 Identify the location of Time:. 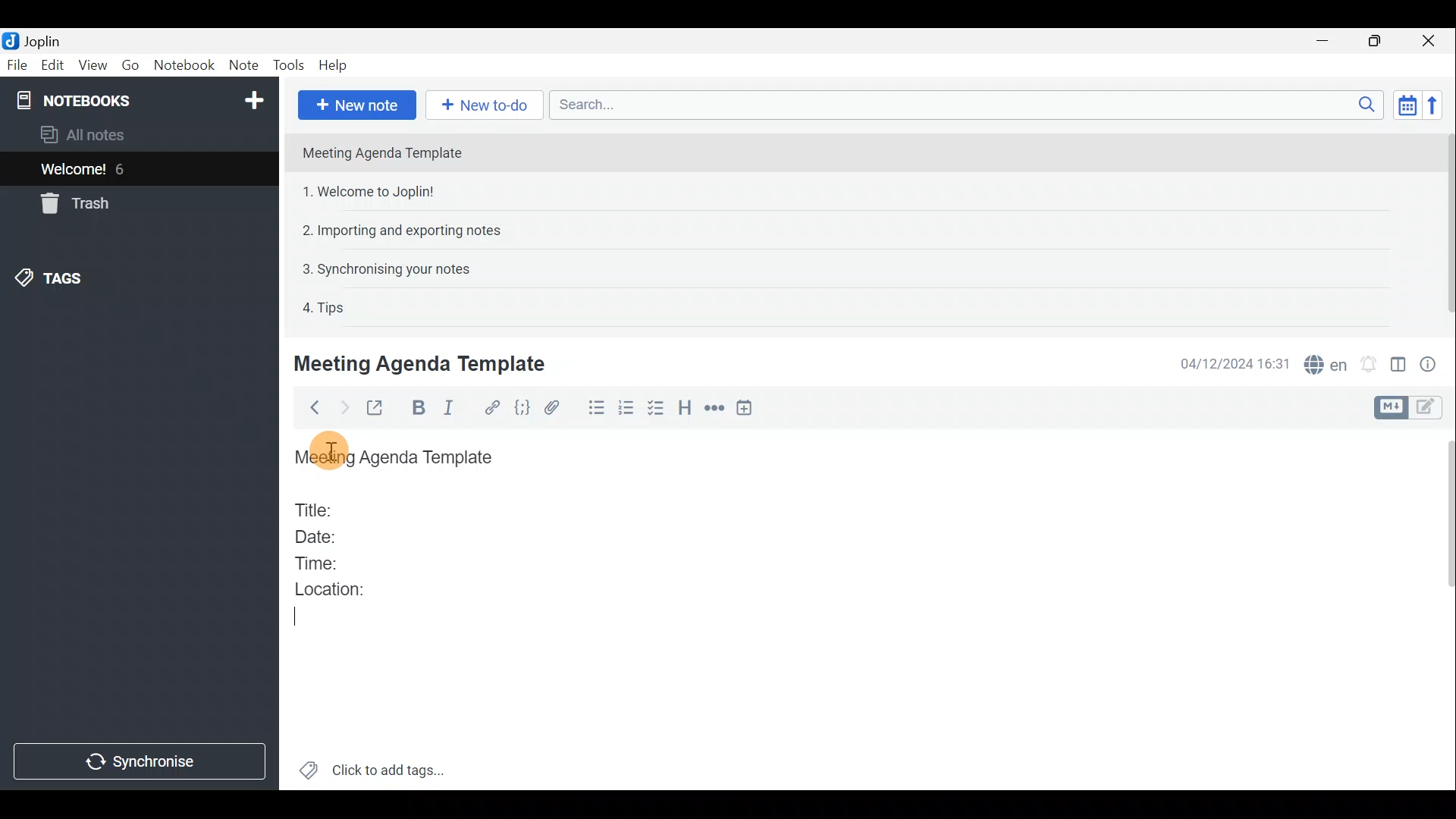
(317, 560).